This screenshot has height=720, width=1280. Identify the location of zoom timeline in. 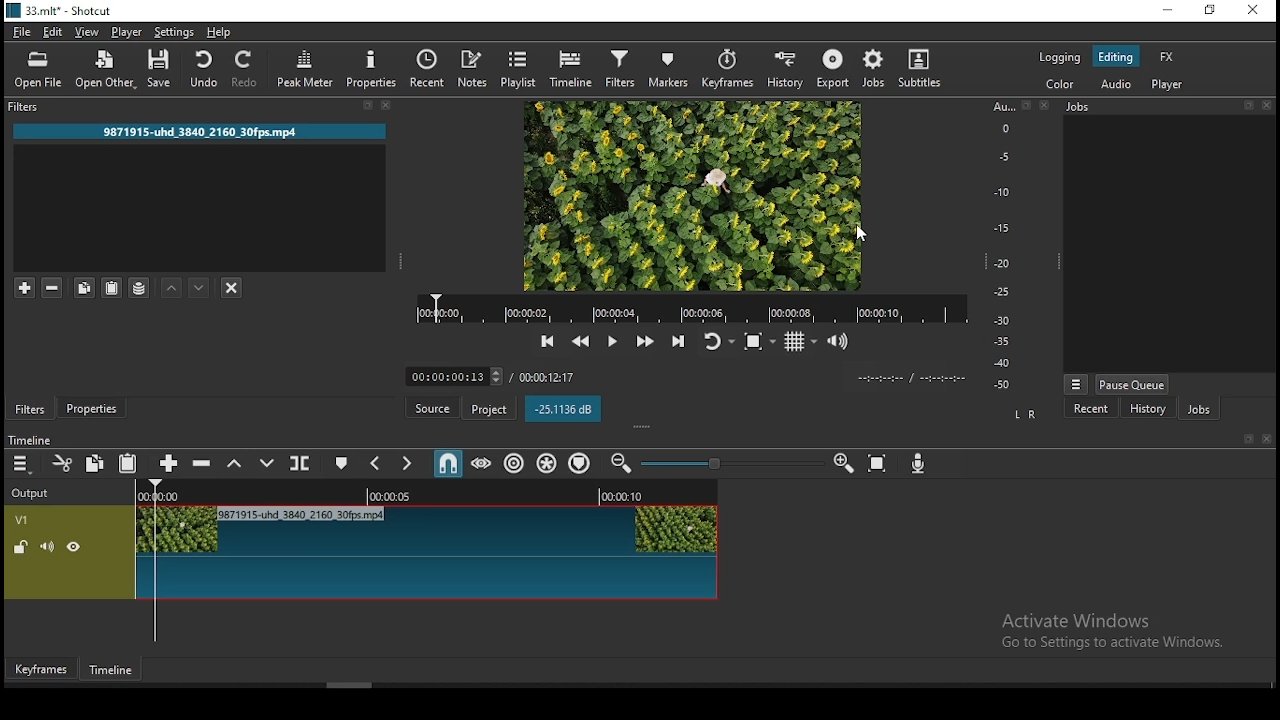
(839, 463).